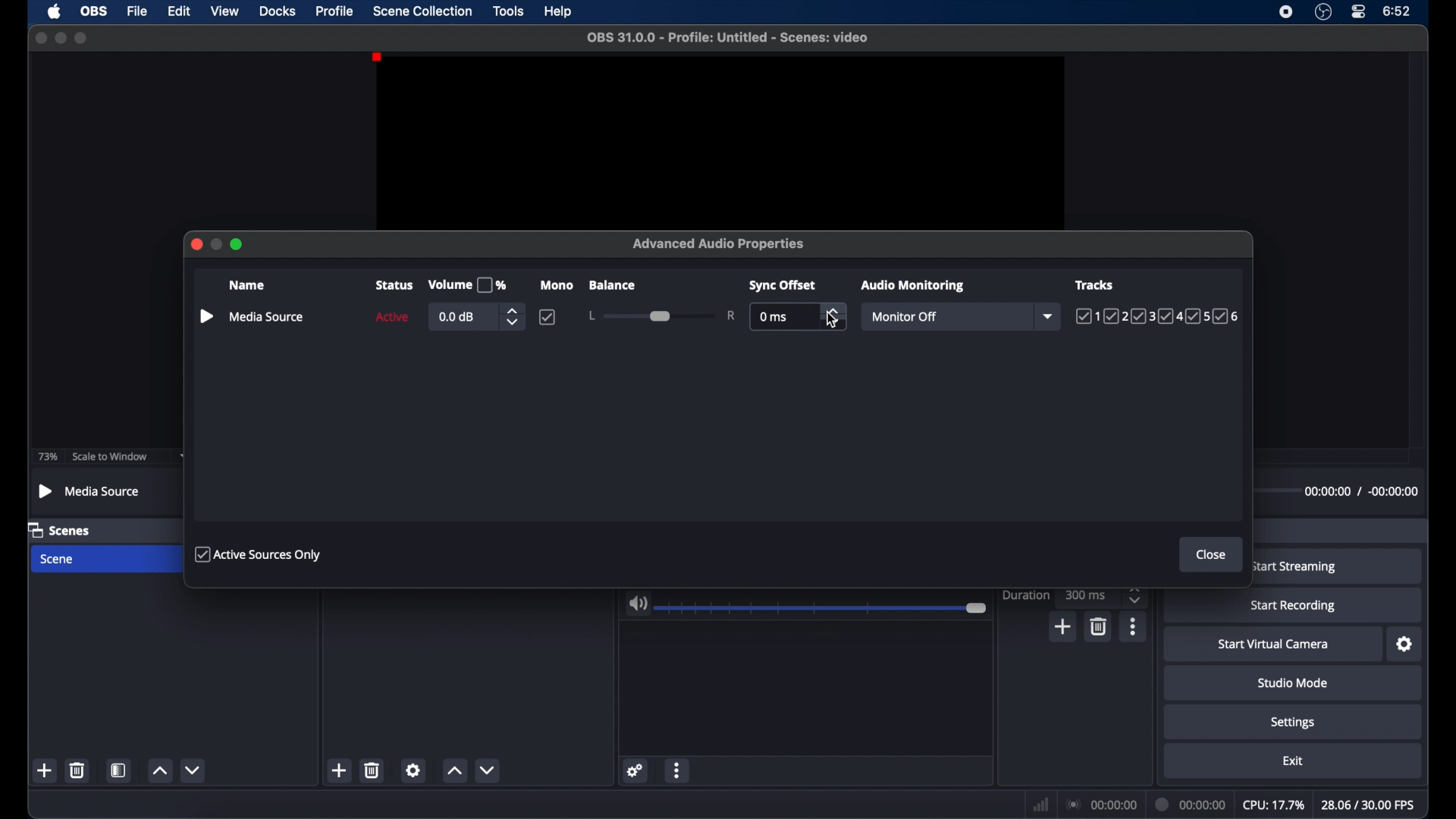 This screenshot has width=1456, height=819. Describe the element at coordinates (77, 770) in the screenshot. I see `delete` at that location.